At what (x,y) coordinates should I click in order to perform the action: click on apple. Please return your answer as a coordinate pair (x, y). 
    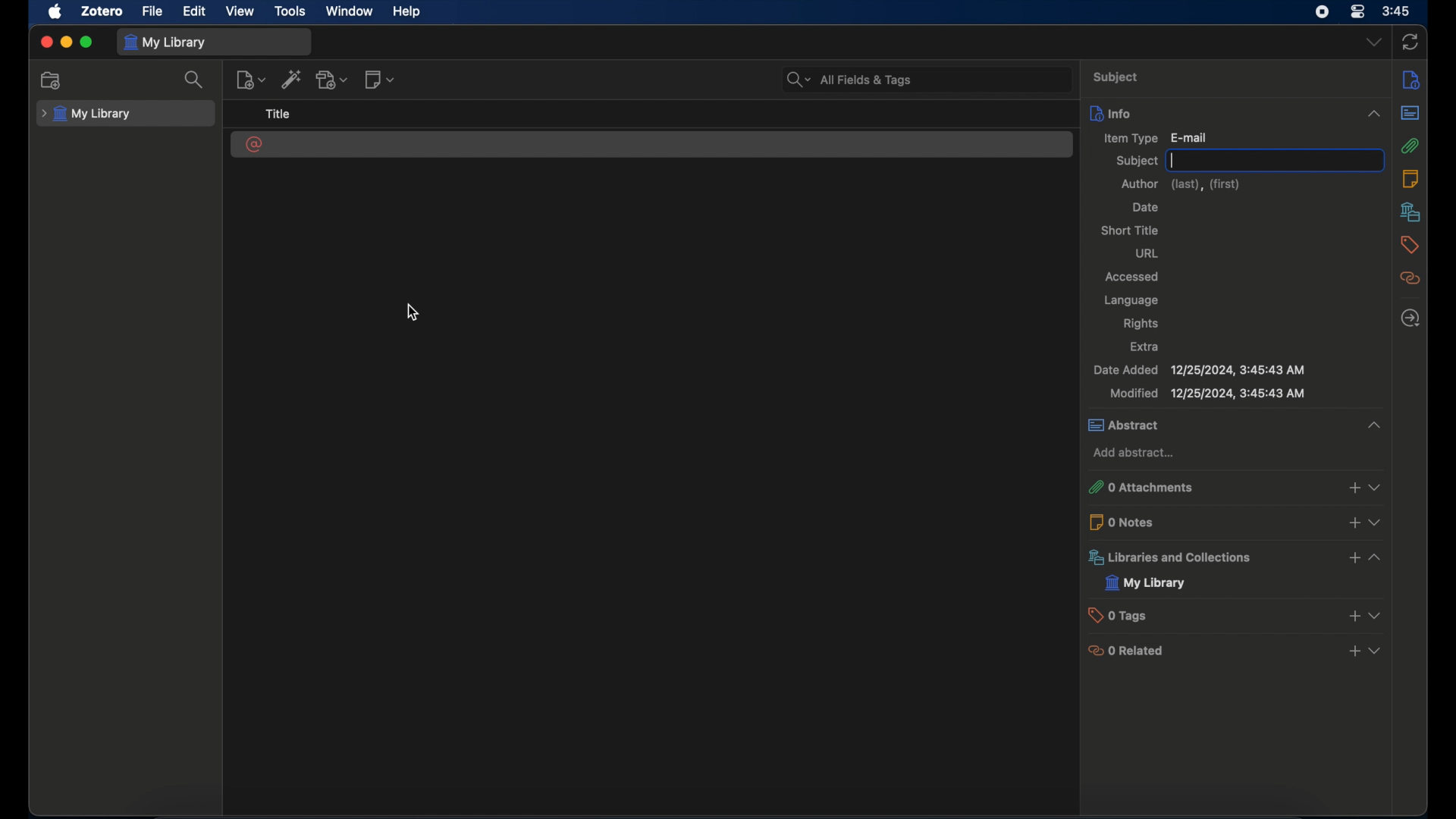
    Looking at the image, I should click on (56, 12).